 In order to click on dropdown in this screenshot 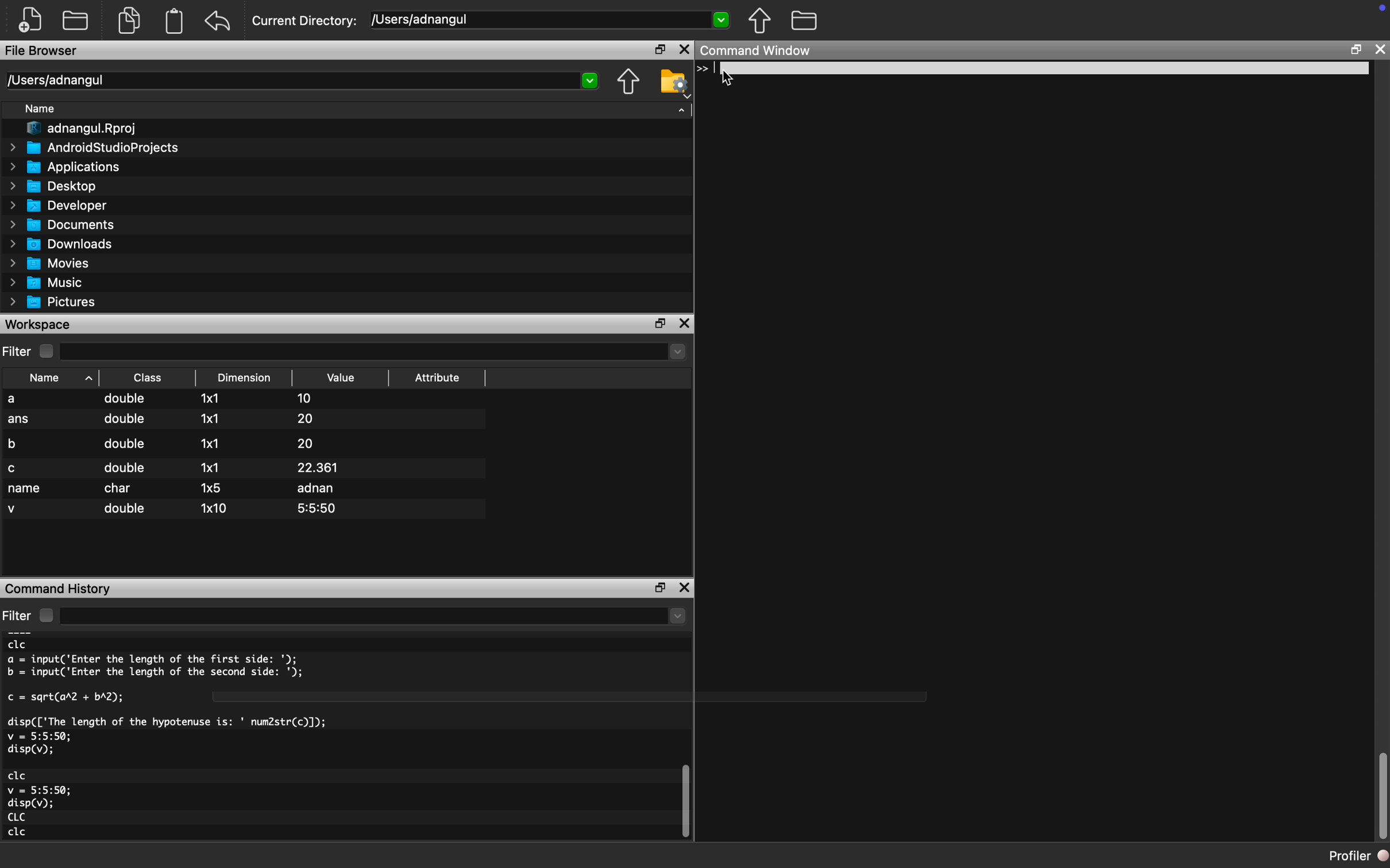, I will do `click(590, 80)`.